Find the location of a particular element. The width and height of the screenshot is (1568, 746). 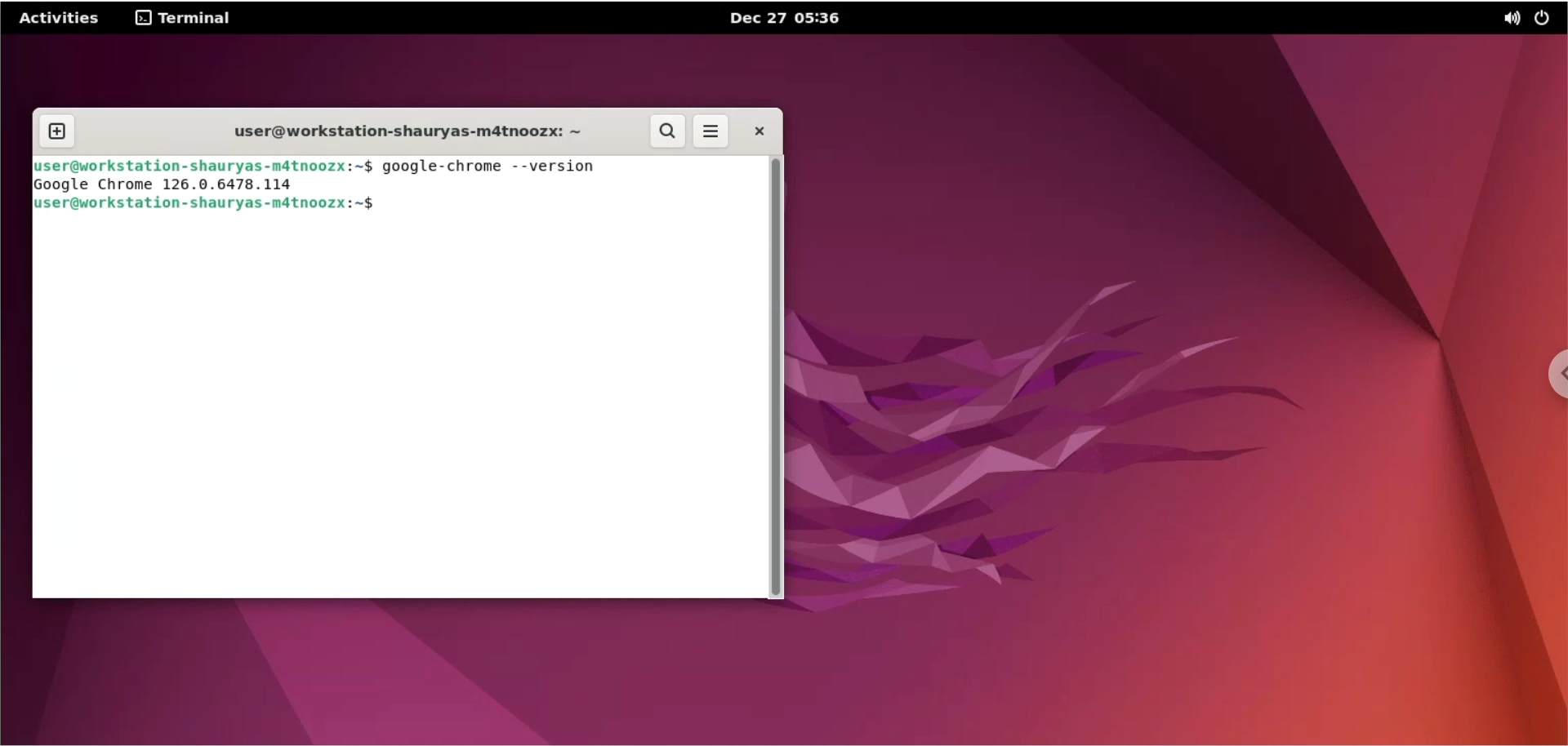

new tab is located at coordinates (56, 132).